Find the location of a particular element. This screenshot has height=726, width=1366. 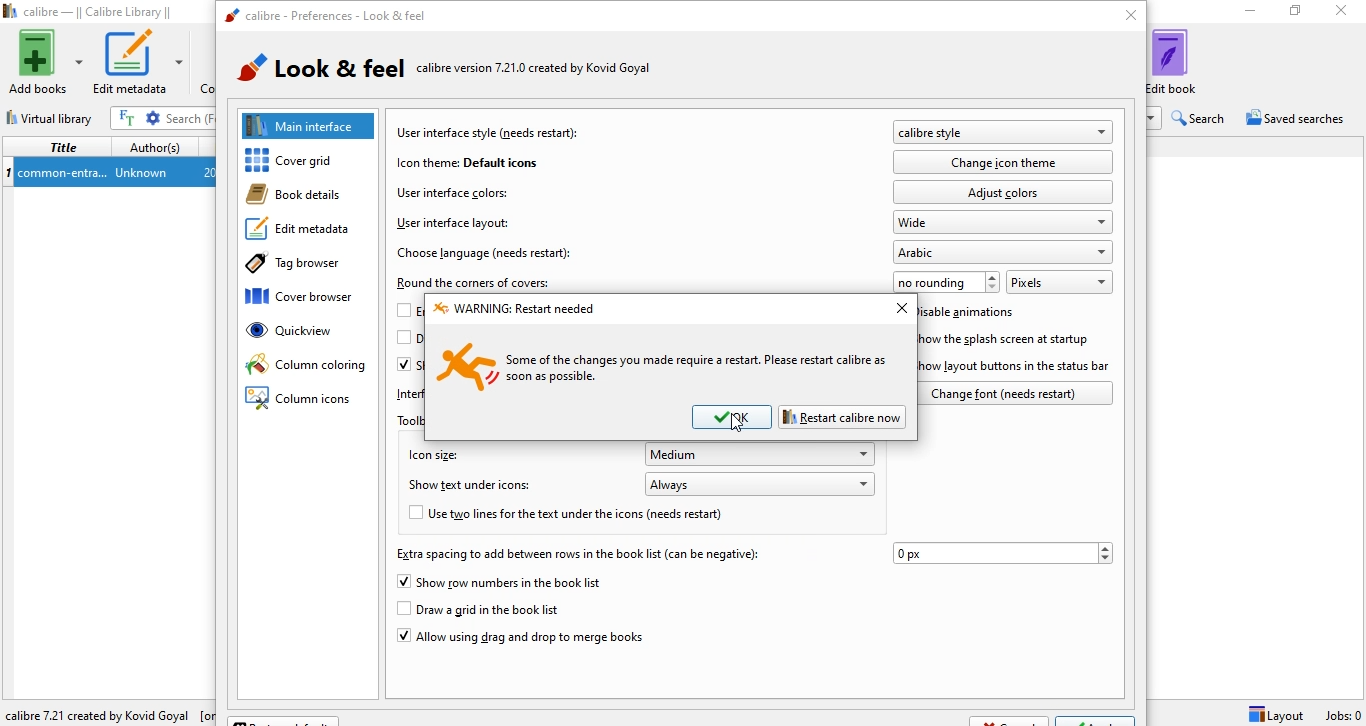

Edit book is located at coordinates (1185, 61).